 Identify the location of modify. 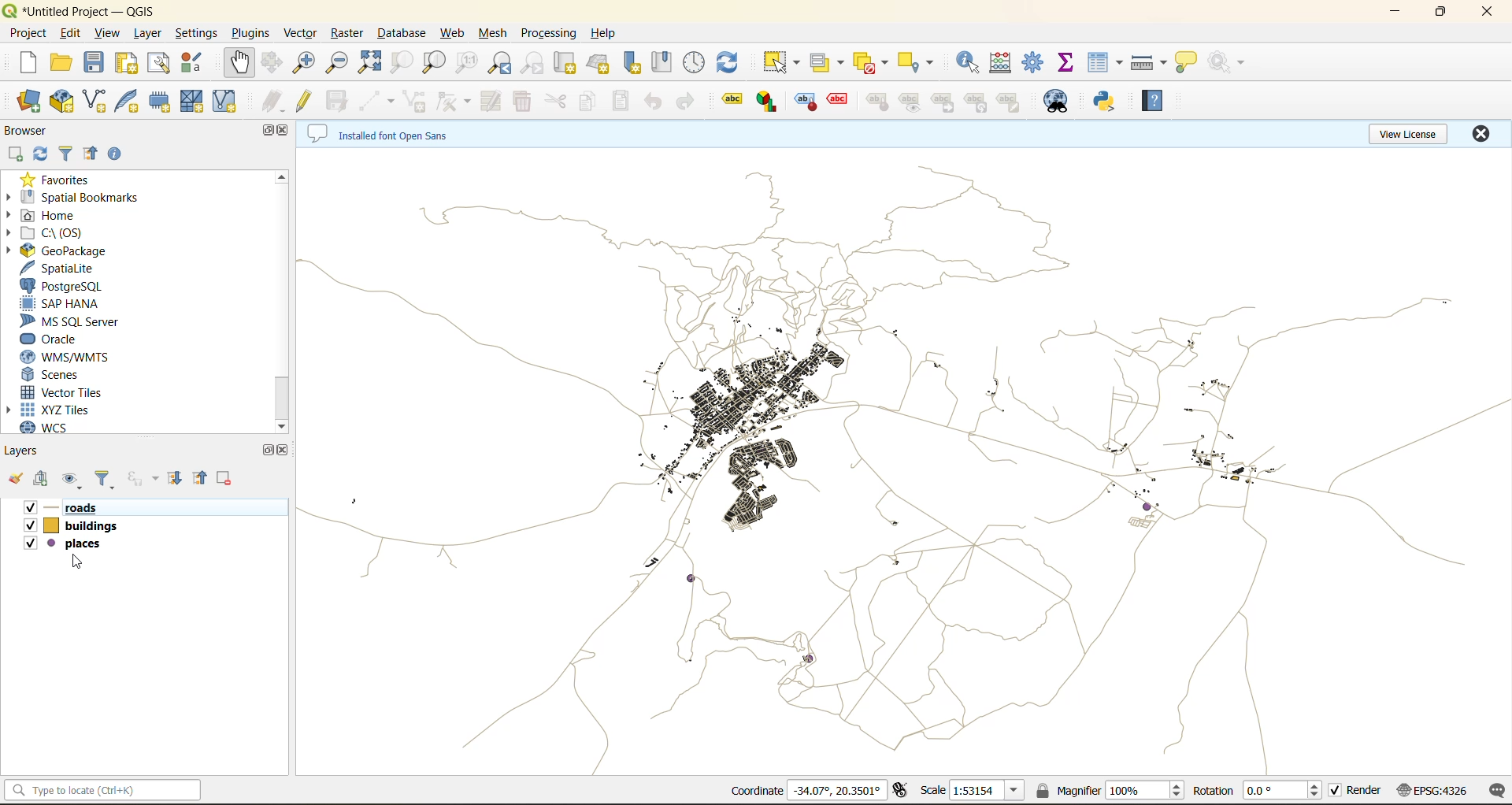
(496, 102).